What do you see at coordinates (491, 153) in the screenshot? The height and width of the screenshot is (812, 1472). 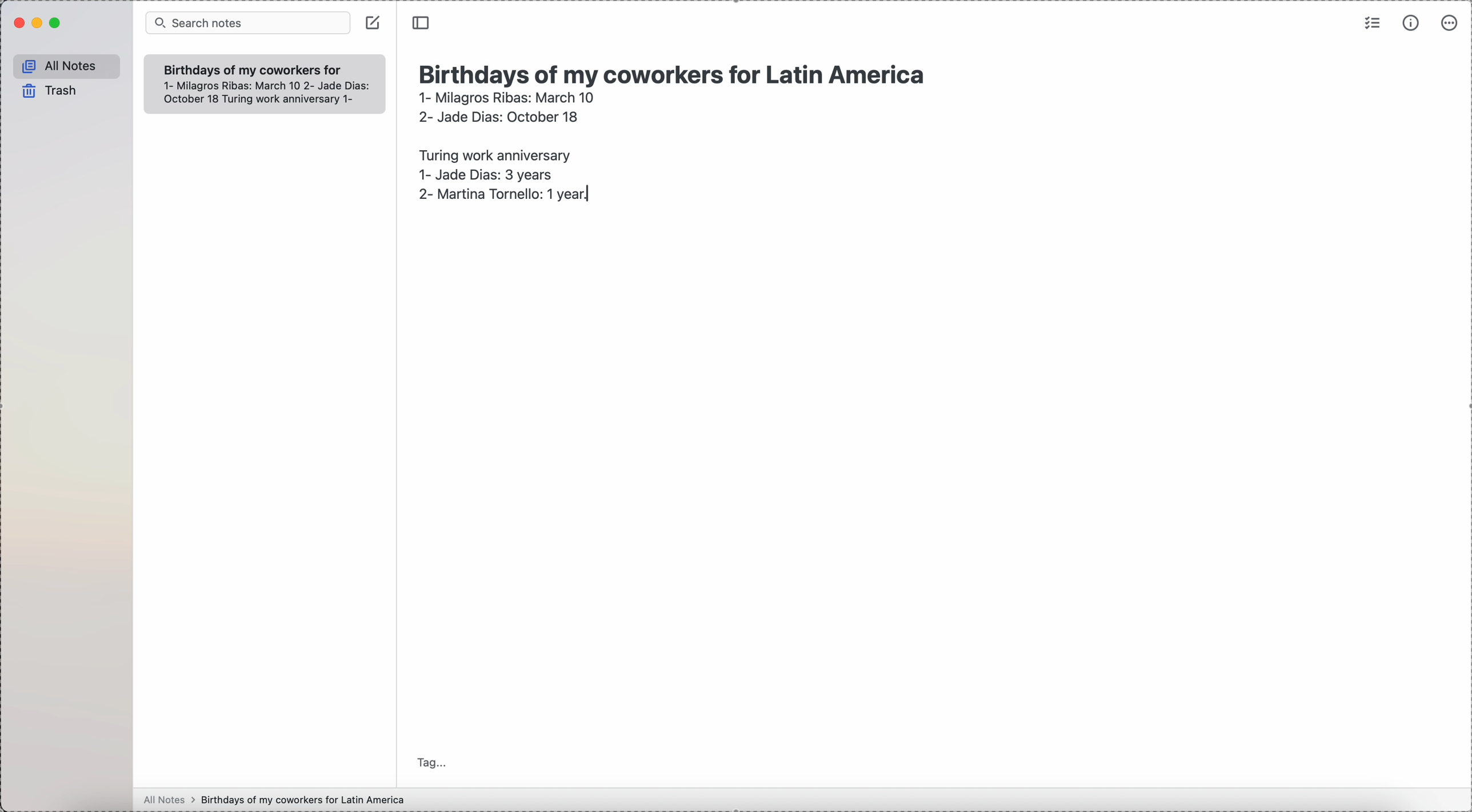 I see `Turing work anniversary` at bounding box center [491, 153].